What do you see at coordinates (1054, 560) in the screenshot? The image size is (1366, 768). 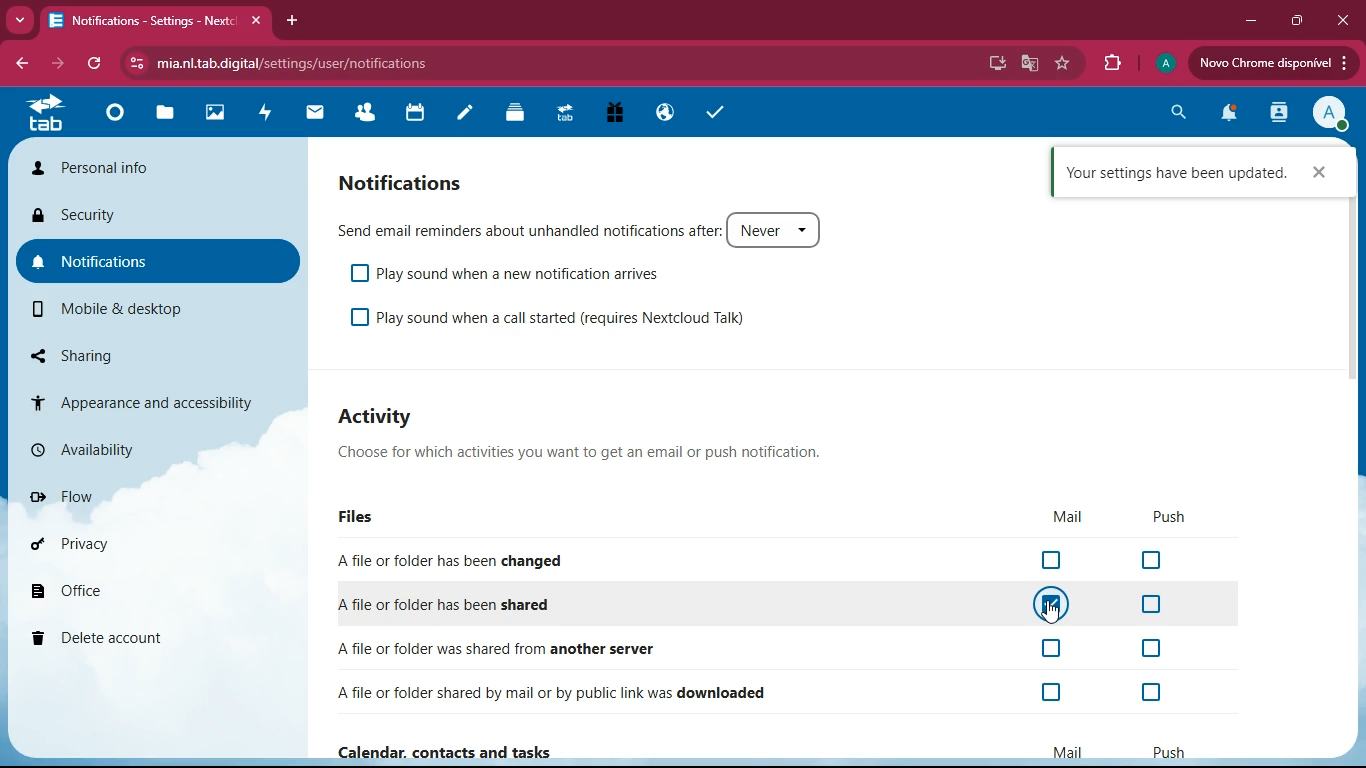 I see `off` at bounding box center [1054, 560].